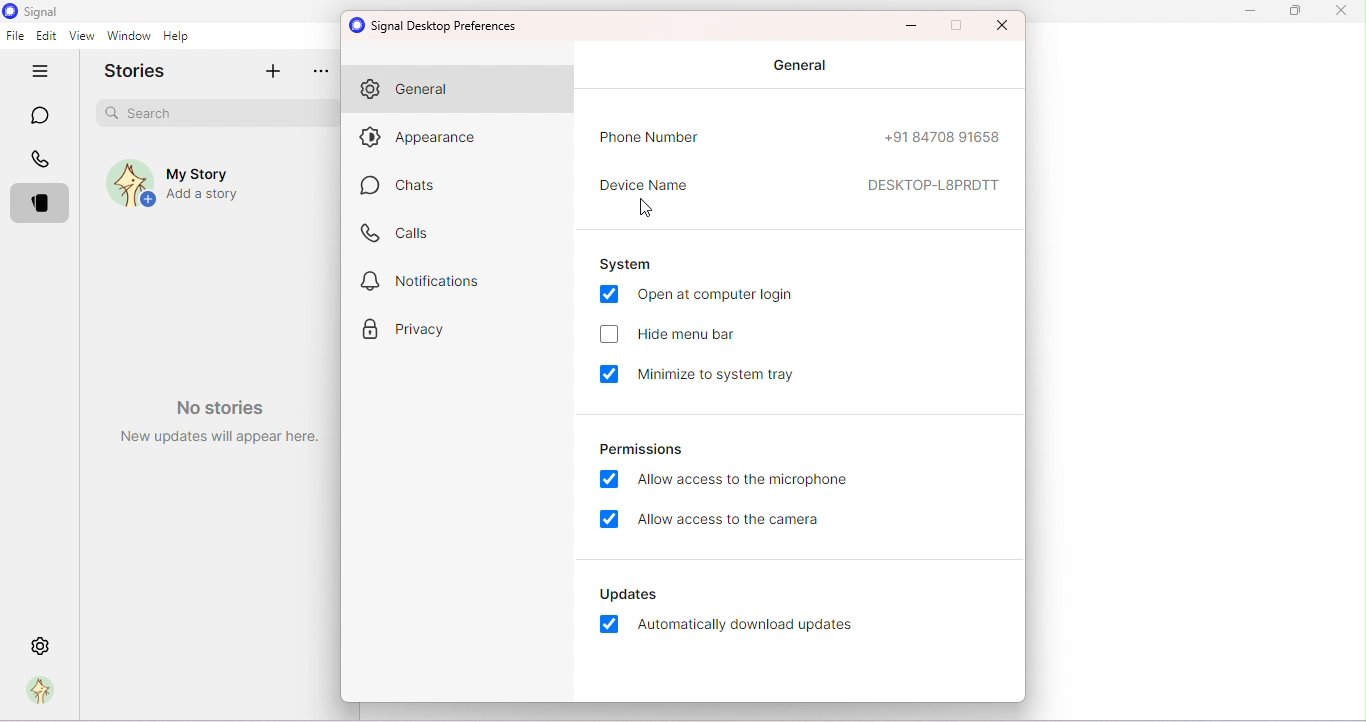 This screenshot has height=722, width=1366. What do you see at coordinates (177, 38) in the screenshot?
I see `Help` at bounding box center [177, 38].